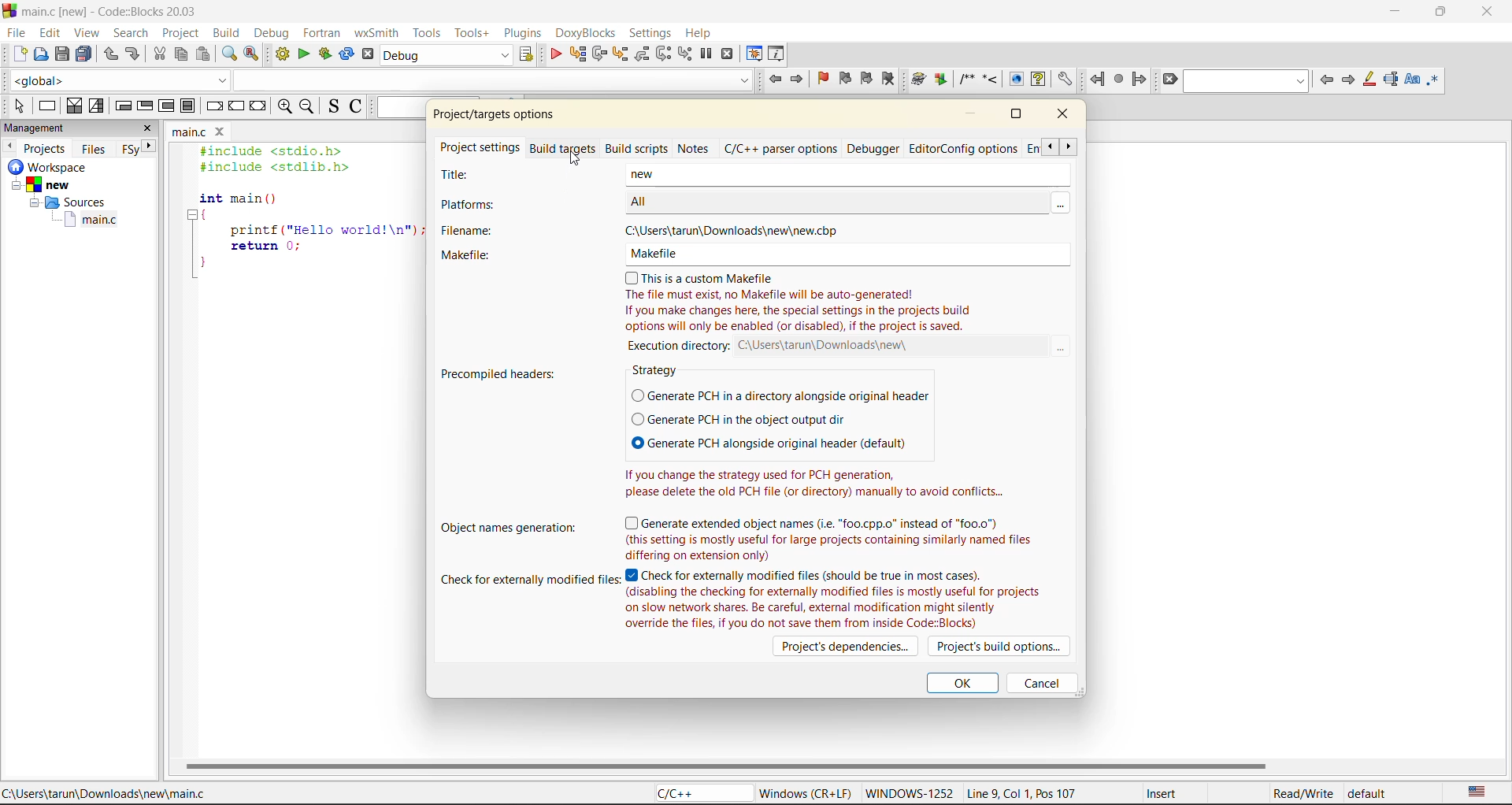 This screenshot has width=1512, height=805. What do you see at coordinates (579, 54) in the screenshot?
I see `run to cursor` at bounding box center [579, 54].